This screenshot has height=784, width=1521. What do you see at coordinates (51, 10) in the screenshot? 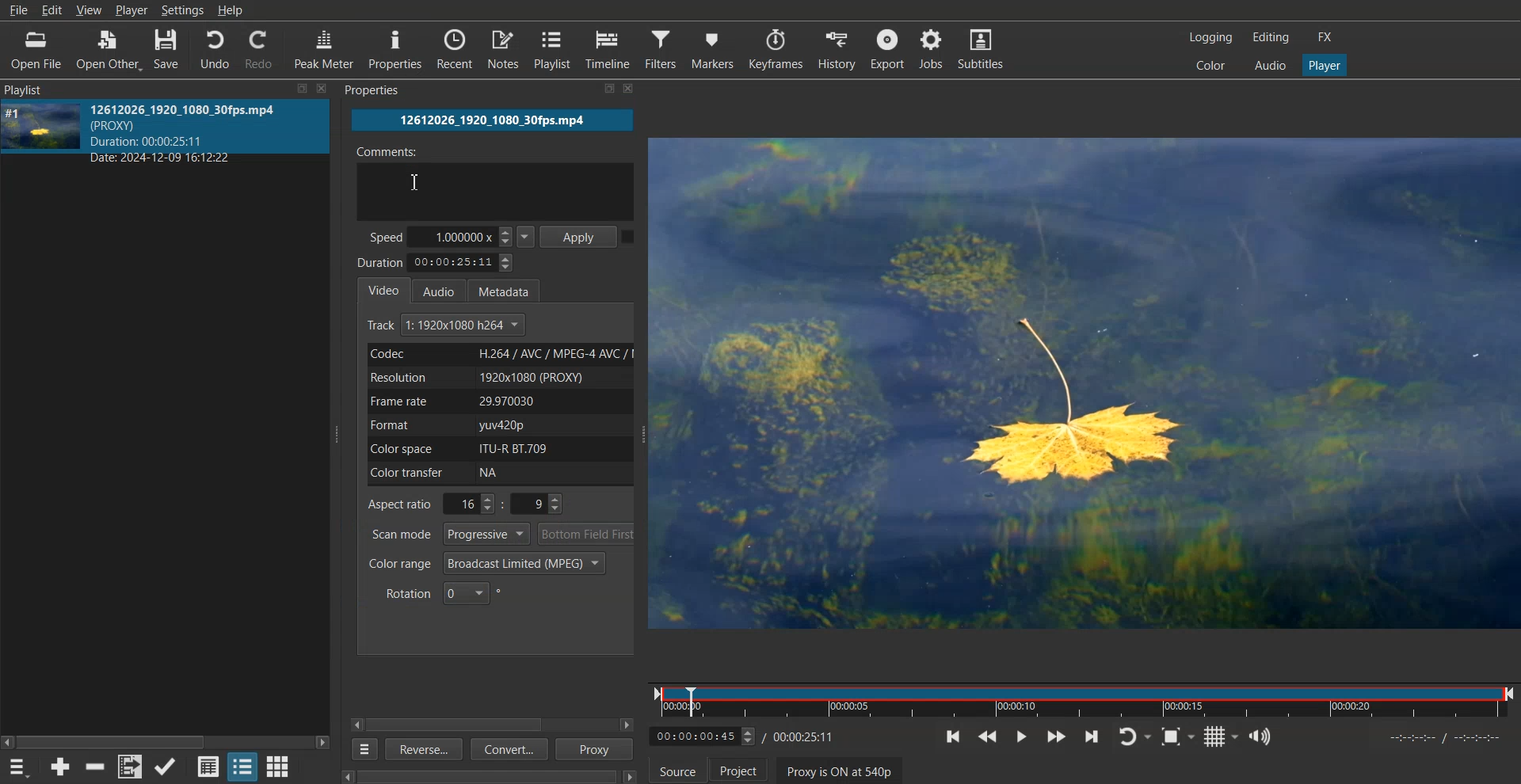
I see `Edit` at bounding box center [51, 10].